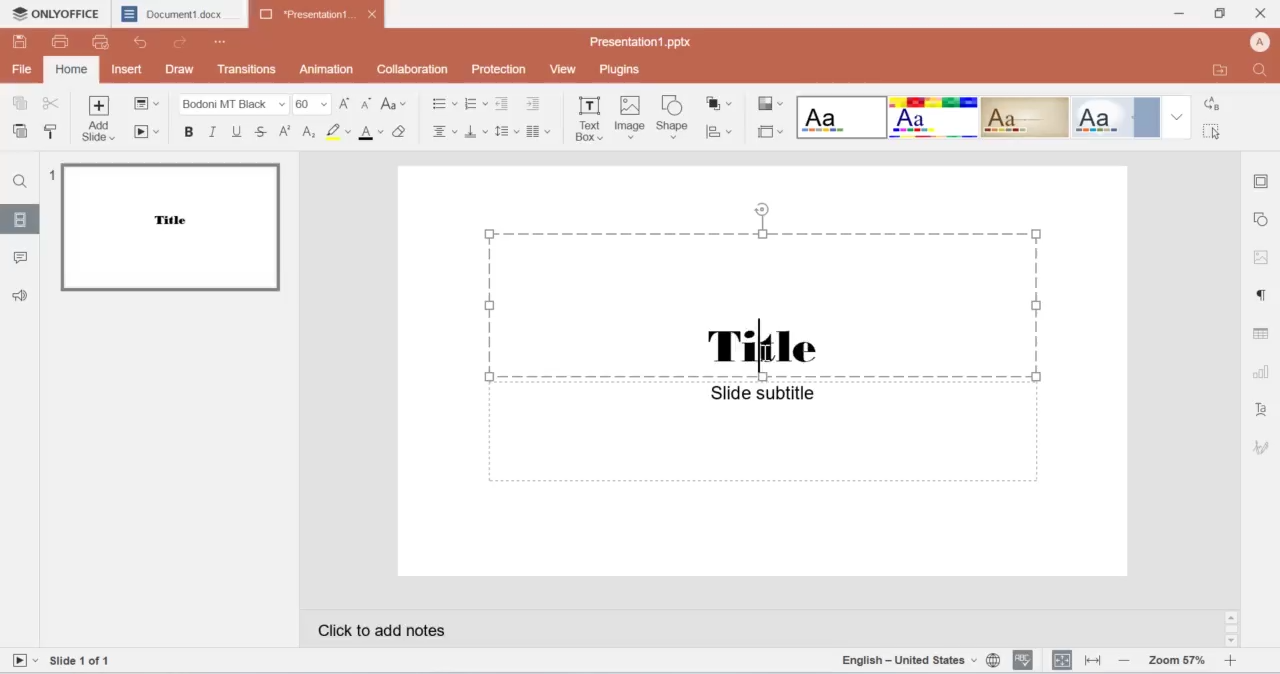 The height and width of the screenshot is (674, 1280). I want to click on add slide, so click(101, 120).